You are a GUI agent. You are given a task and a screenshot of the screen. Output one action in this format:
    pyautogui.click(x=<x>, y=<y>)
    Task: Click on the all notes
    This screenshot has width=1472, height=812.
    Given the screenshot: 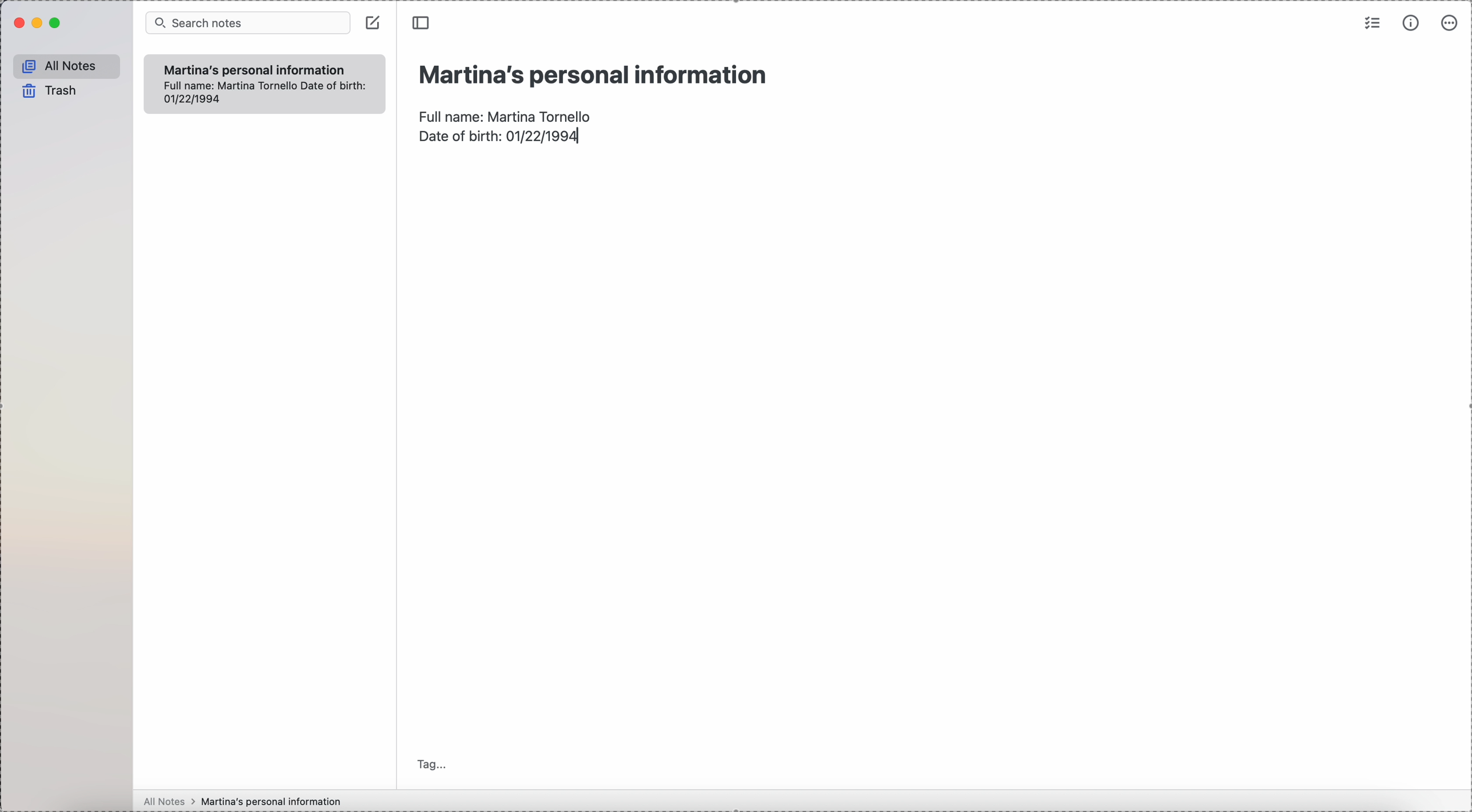 What is the action you would take?
    pyautogui.click(x=66, y=66)
    